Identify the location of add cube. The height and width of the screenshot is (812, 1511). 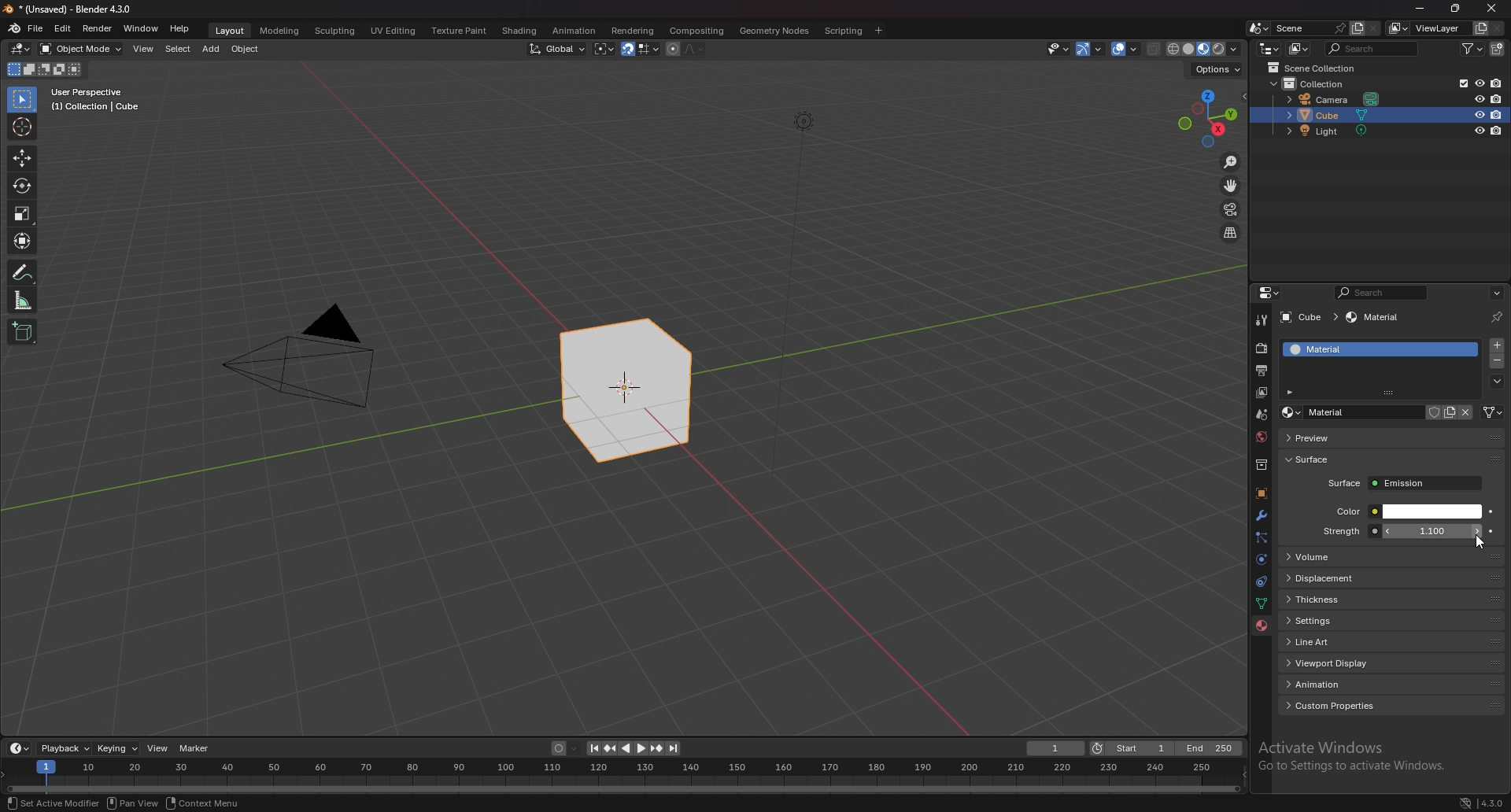
(22, 333).